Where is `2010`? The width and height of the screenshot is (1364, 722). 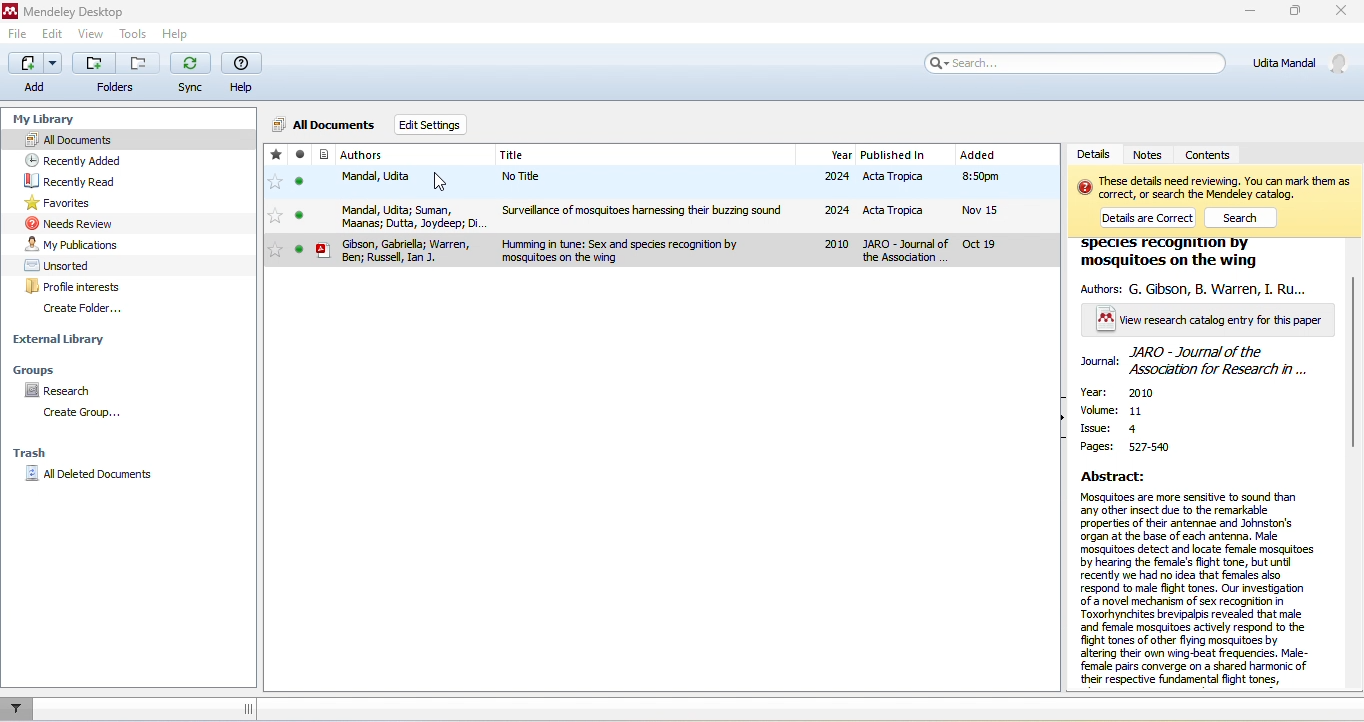
2010 is located at coordinates (836, 246).